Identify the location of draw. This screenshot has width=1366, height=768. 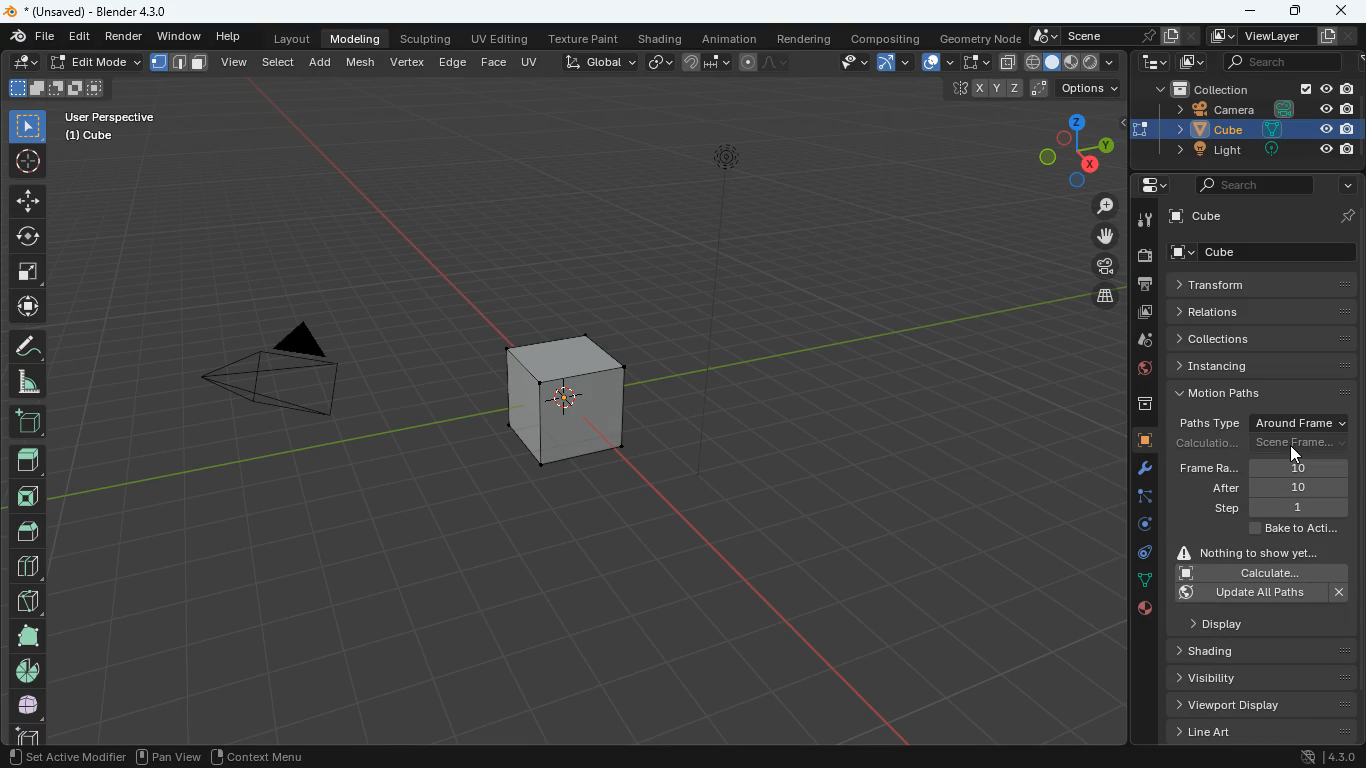
(26, 345).